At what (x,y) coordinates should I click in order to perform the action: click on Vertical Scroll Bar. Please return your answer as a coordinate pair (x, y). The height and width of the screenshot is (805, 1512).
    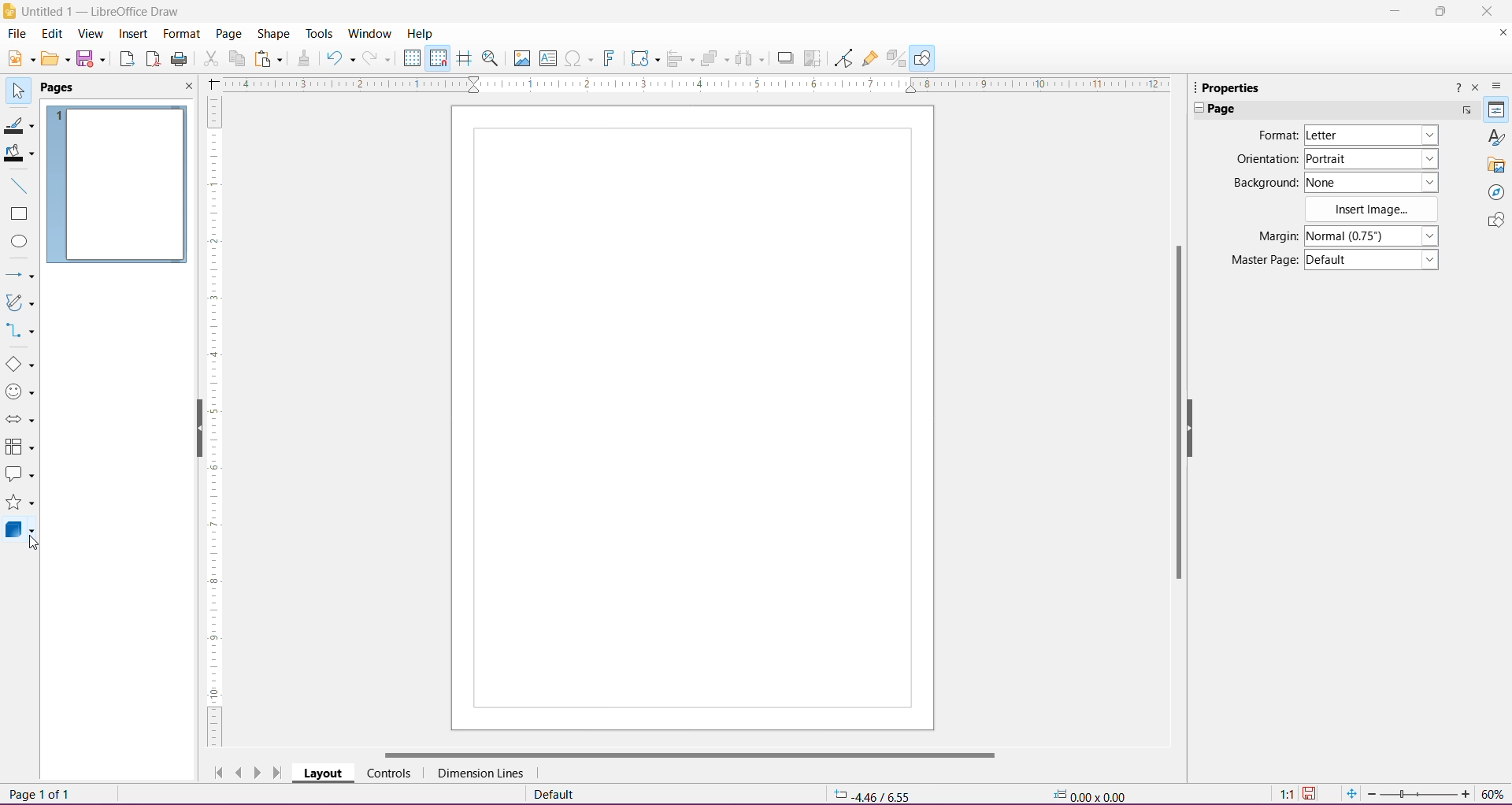
    Looking at the image, I should click on (1174, 409).